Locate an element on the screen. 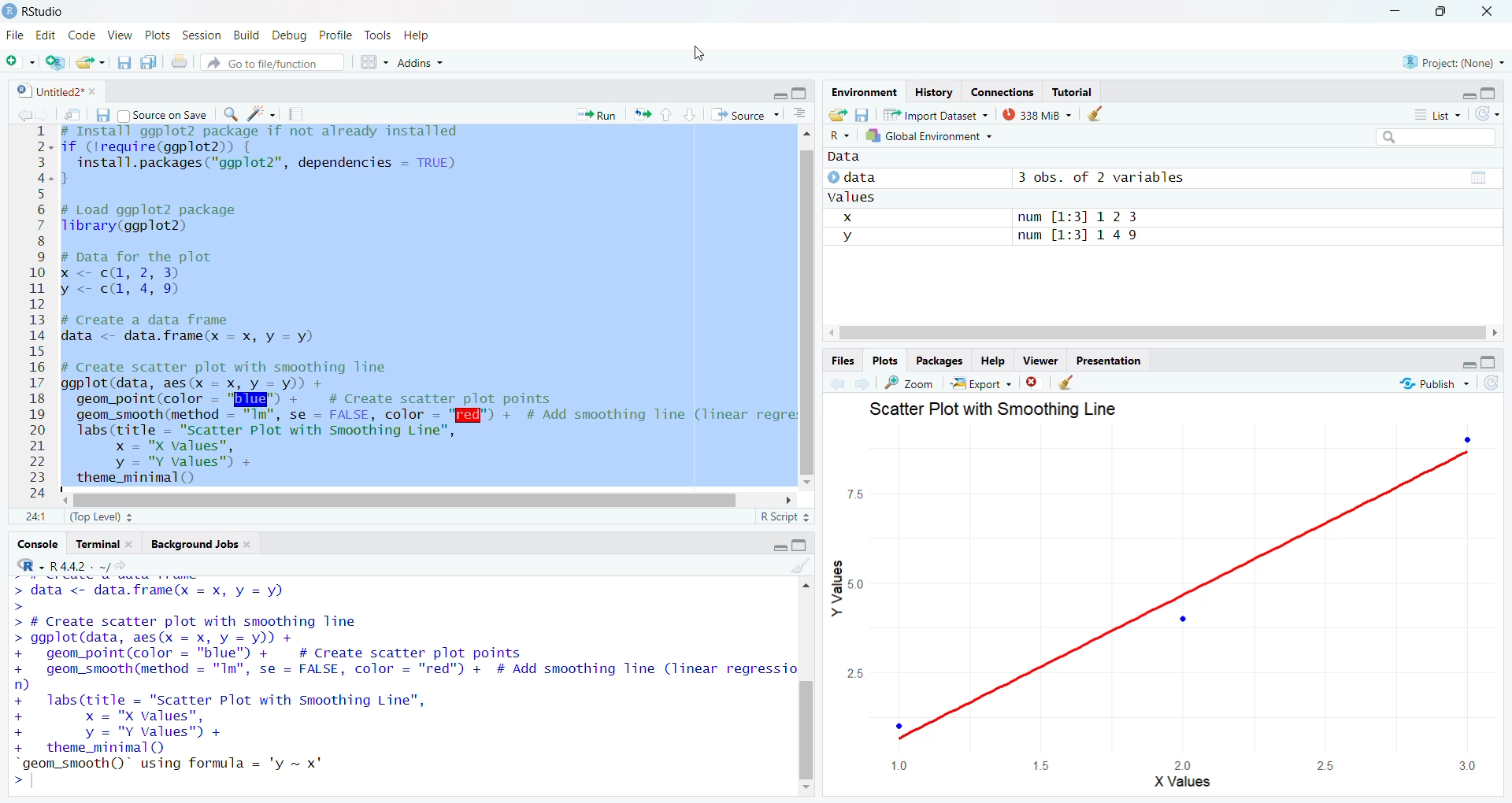 This screenshot has height=803, width=1512. List  is located at coordinates (1439, 116).